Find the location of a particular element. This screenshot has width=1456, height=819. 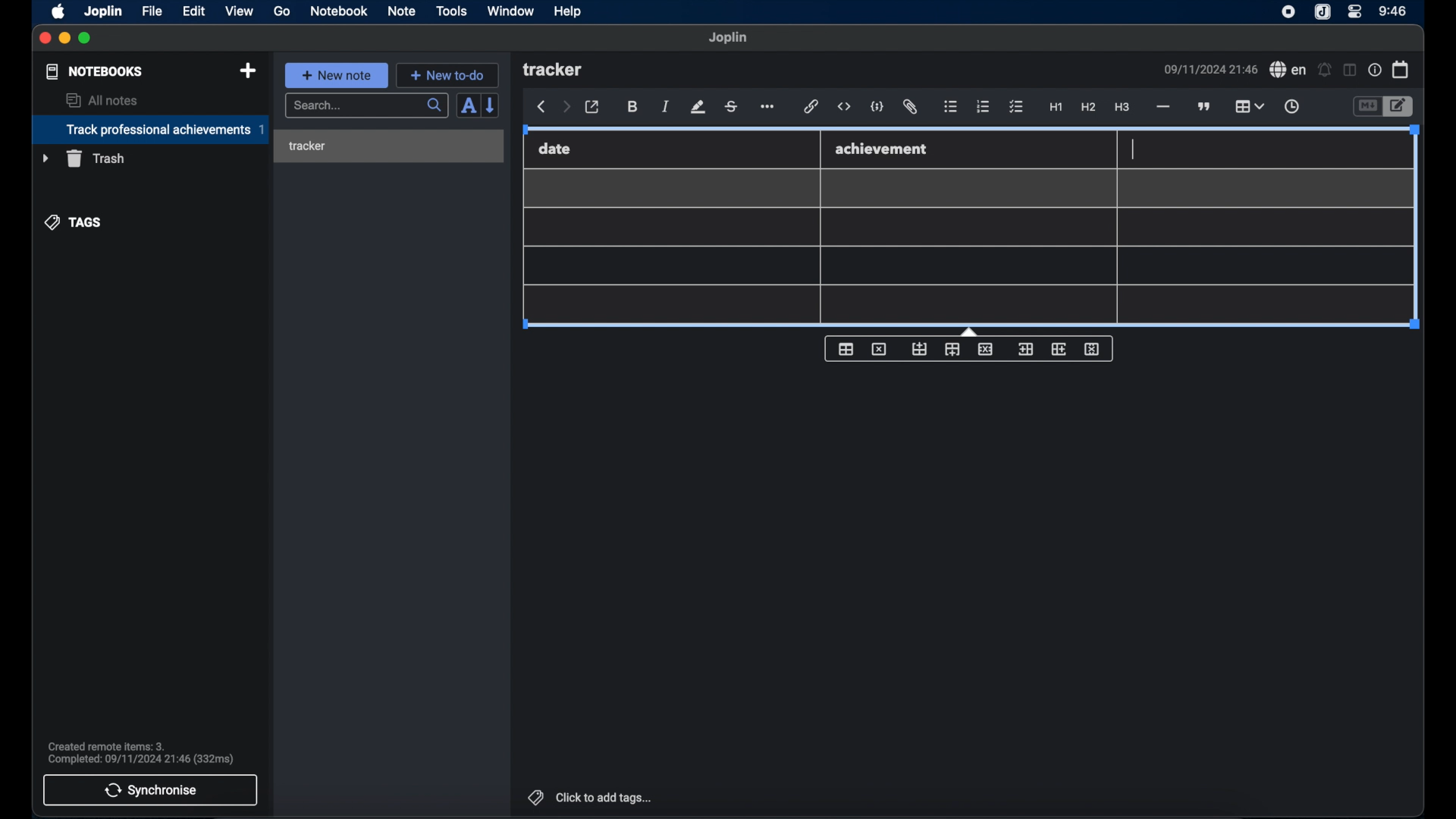

insert column before is located at coordinates (1025, 349).